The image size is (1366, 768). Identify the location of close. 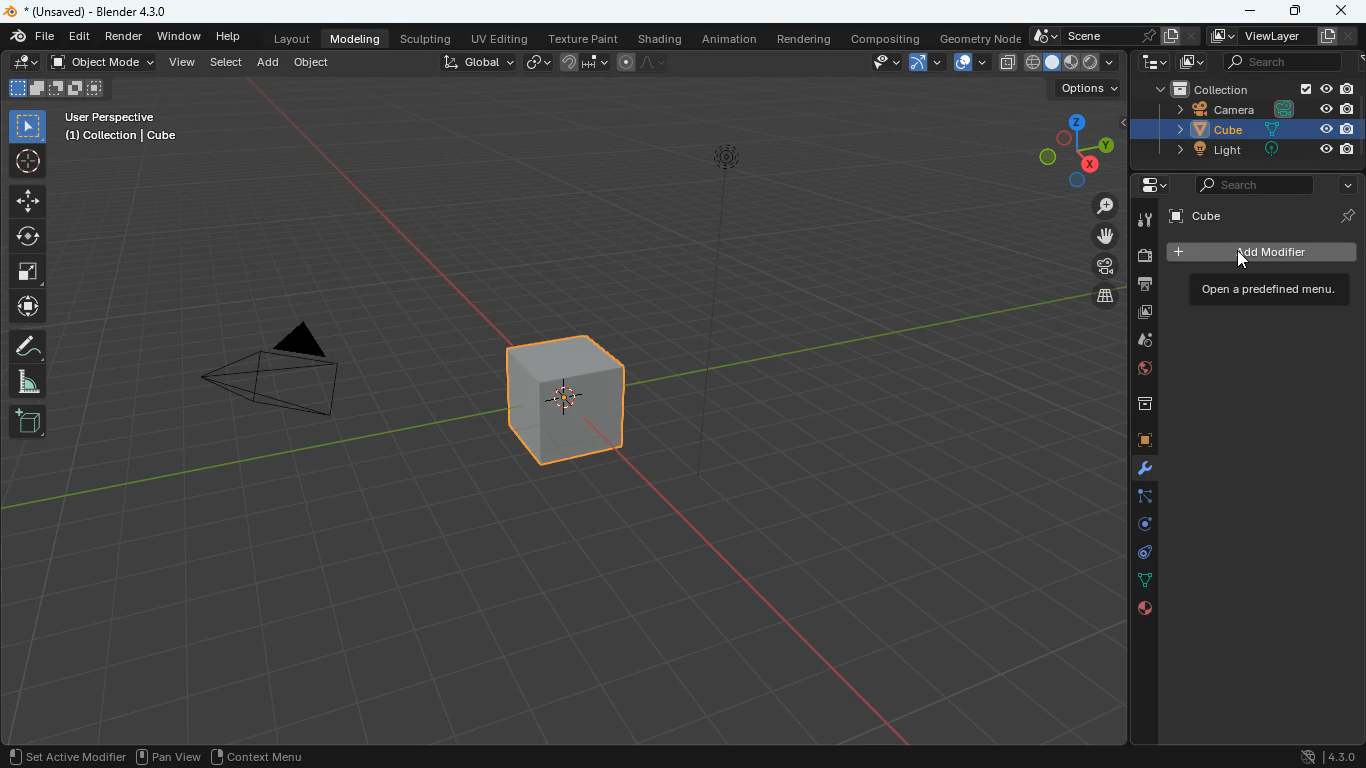
(1344, 10).